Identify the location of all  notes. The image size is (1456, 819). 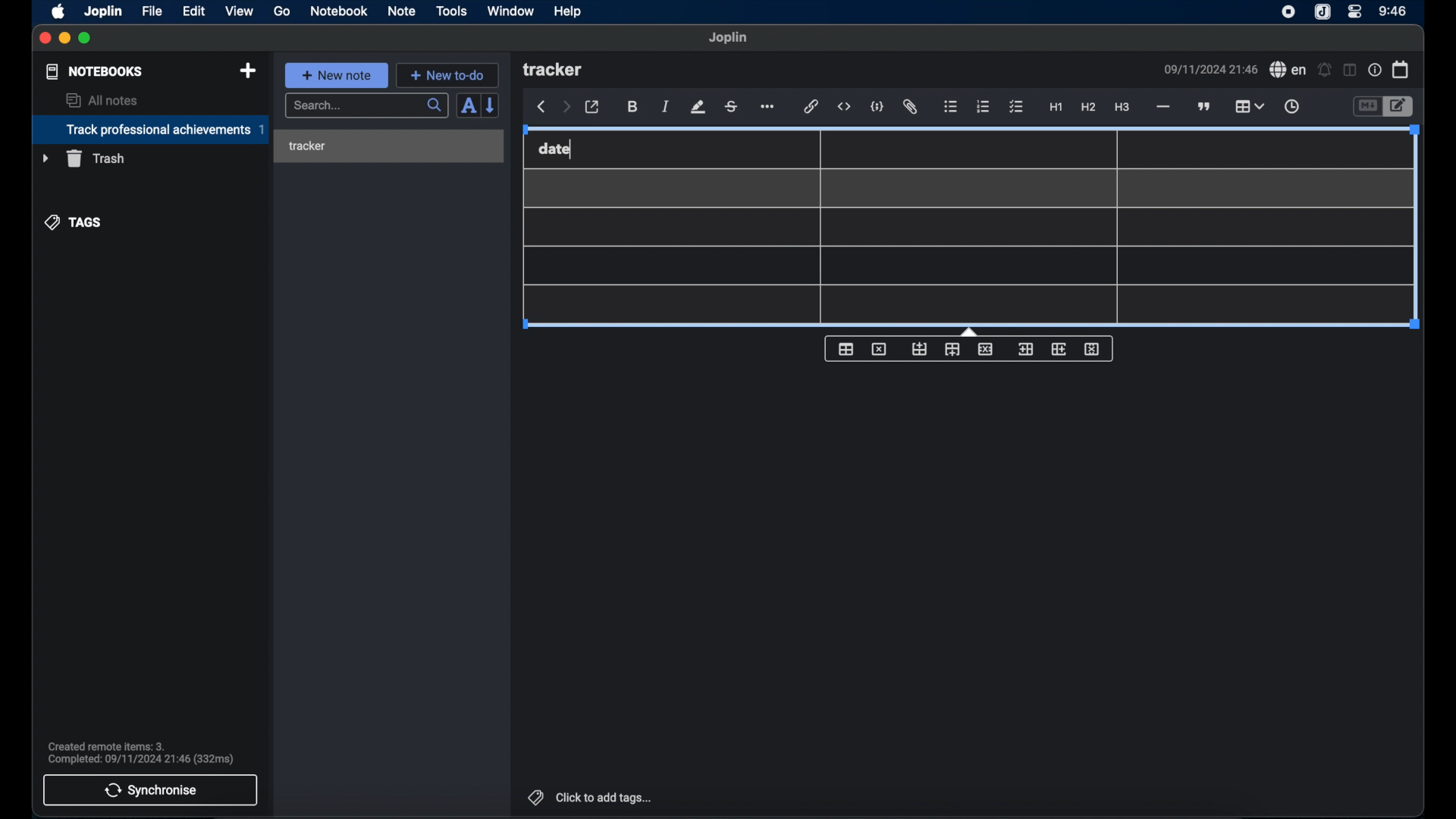
(102, 100).